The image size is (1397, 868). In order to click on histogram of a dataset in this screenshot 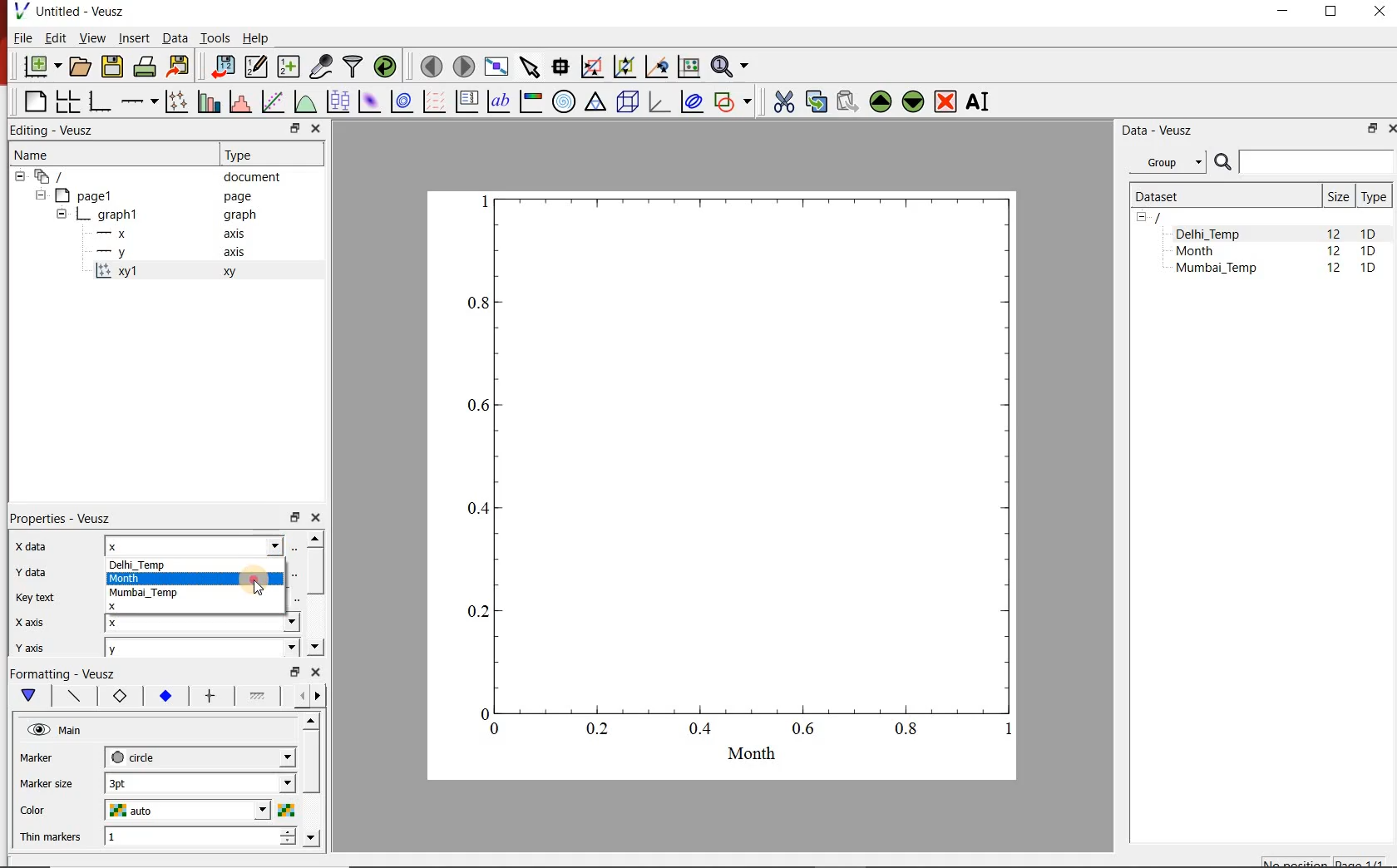, I will do `click(239, 101)`.